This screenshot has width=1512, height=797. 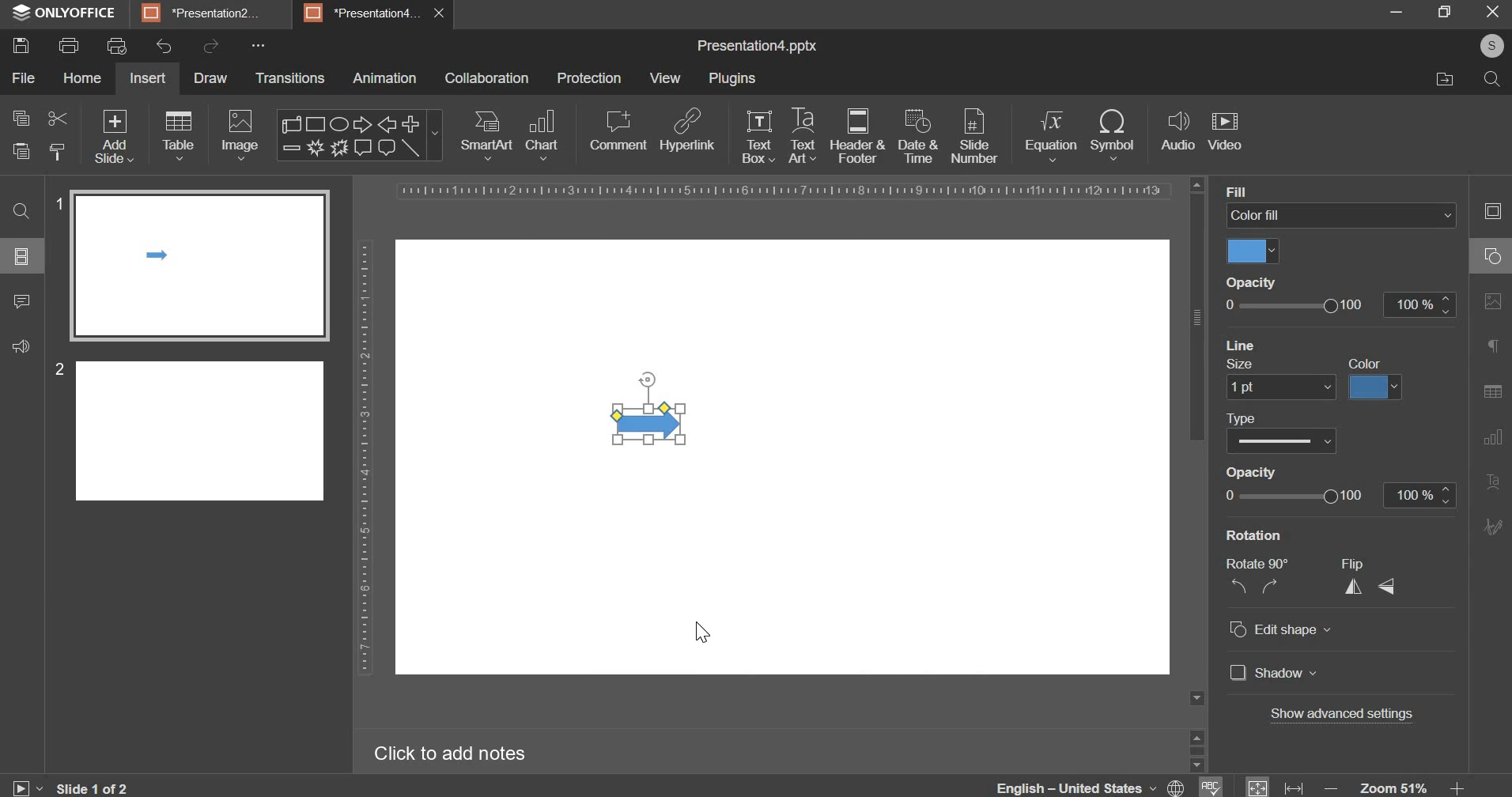 I want to click on print, so click(x=71, y=45).